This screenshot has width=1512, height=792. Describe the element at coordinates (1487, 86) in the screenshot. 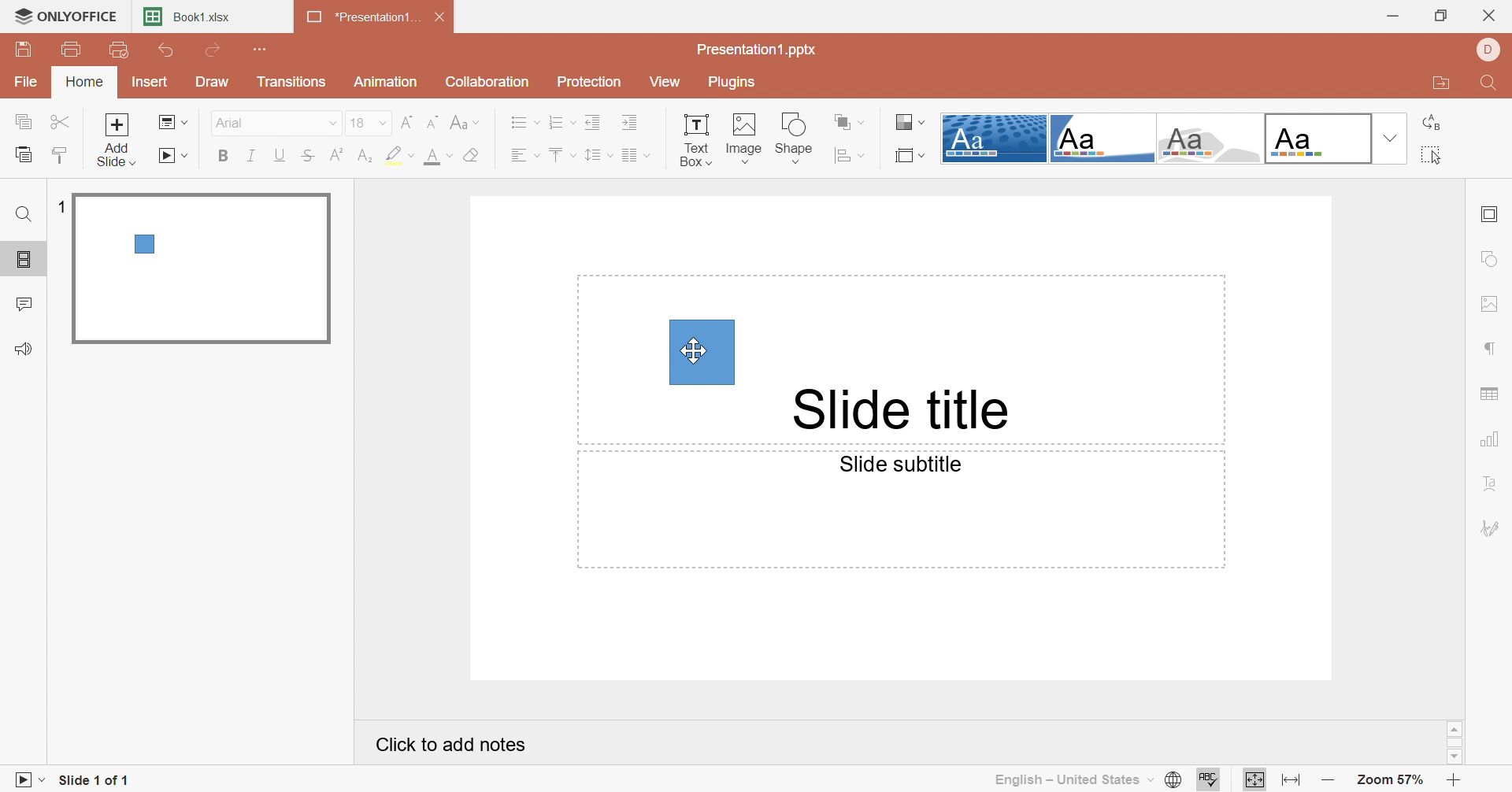

I see `Find` at that location.